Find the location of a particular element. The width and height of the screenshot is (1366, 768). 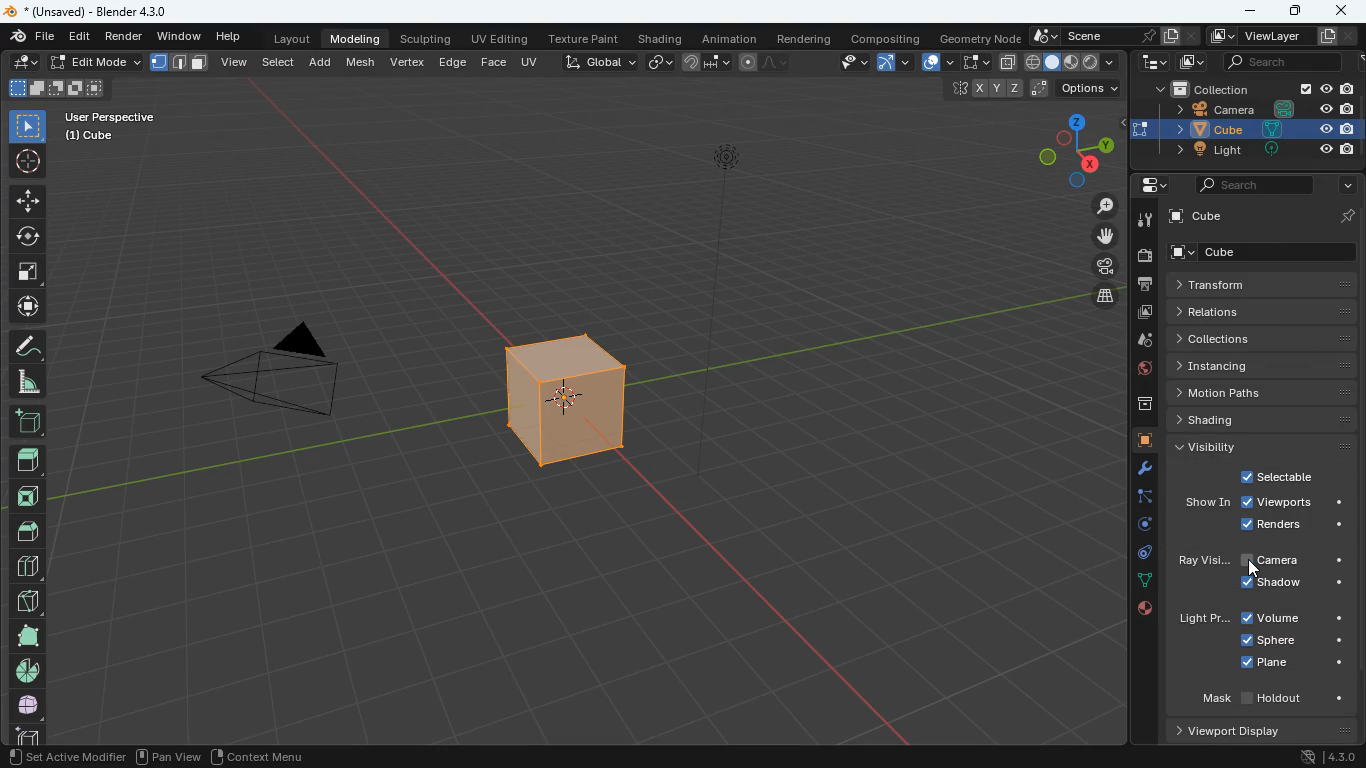

add is located at coordinates (321, 64).